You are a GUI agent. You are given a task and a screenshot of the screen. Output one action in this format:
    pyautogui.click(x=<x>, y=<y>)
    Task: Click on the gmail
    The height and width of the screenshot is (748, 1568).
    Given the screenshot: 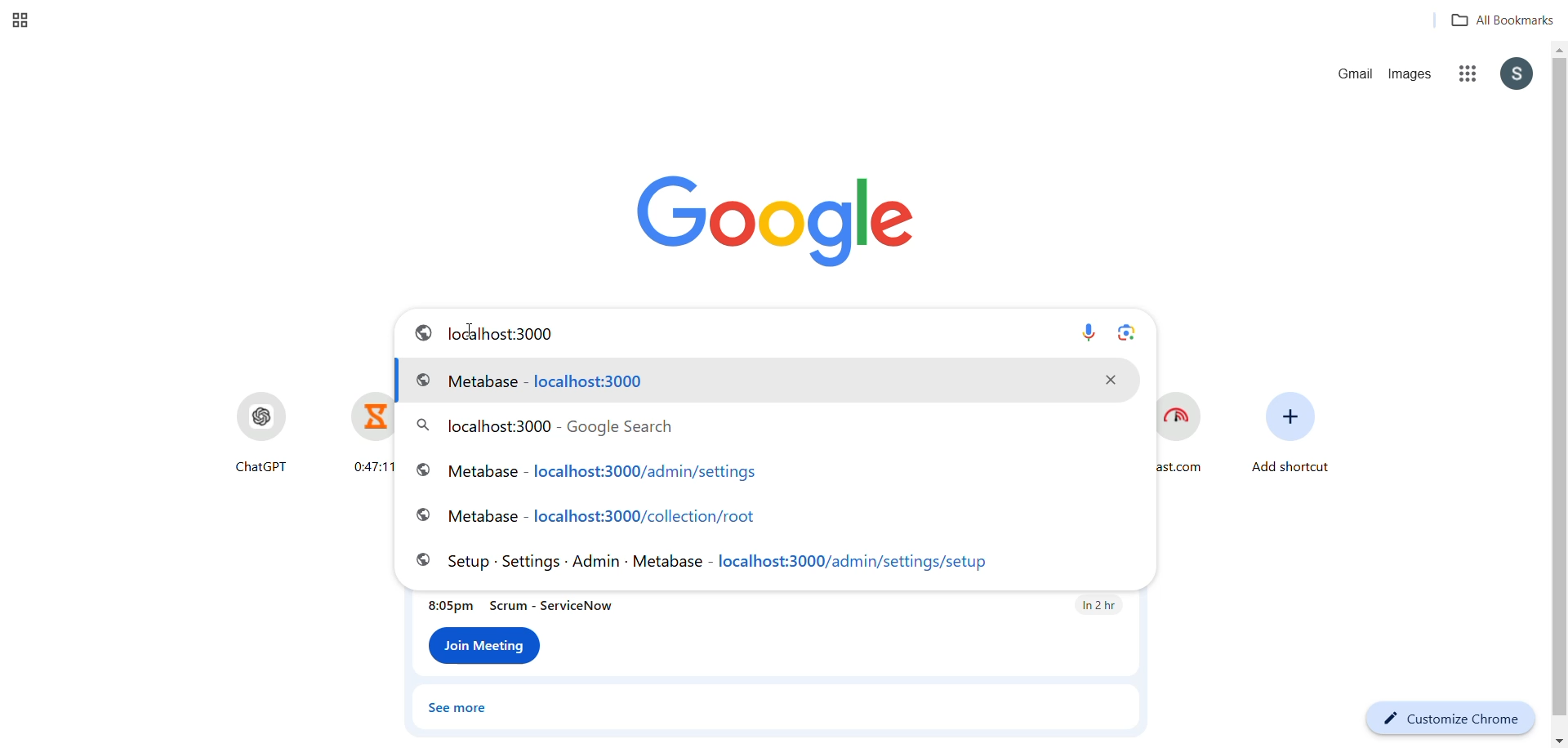 What is the action you would take?
    pyautogui.click(x=1353, y=76)
    